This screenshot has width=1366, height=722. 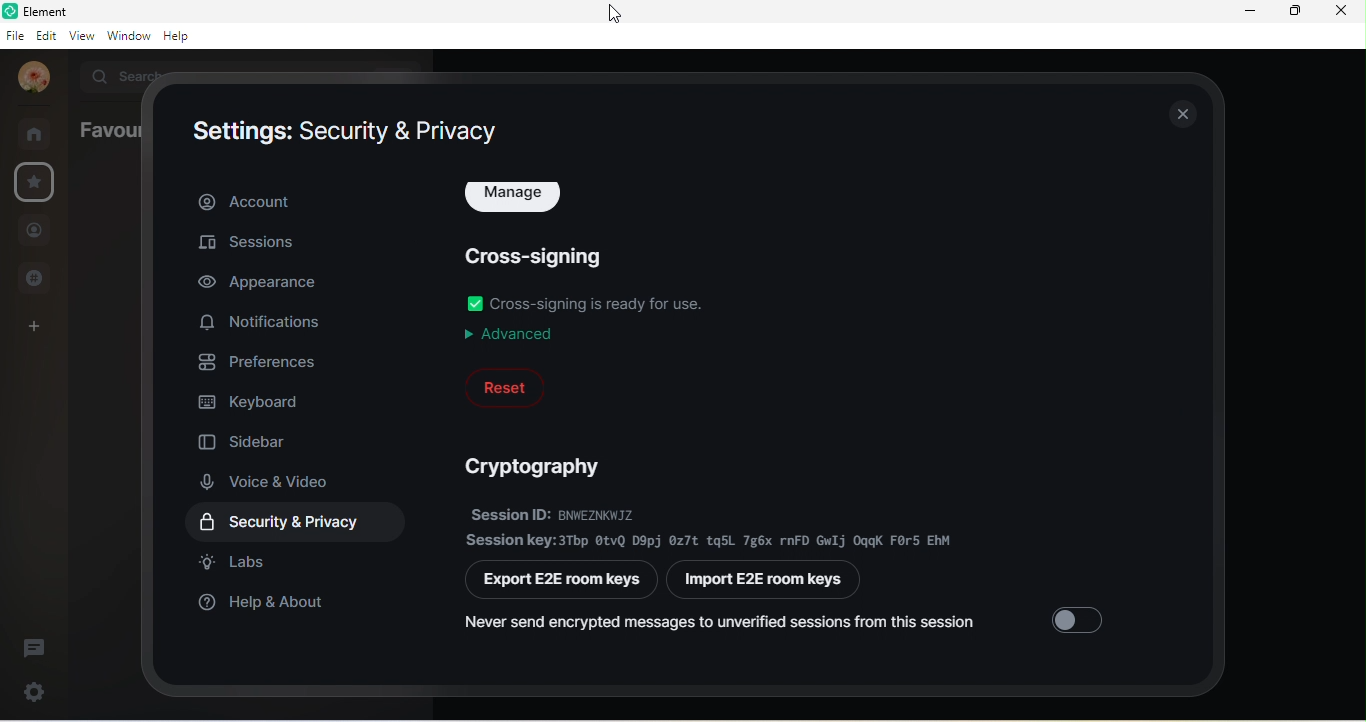 What do you see at coordinates (347, 132) in the screenshot?
I see `settings: security and privacy` at bounding box center [347, 132].